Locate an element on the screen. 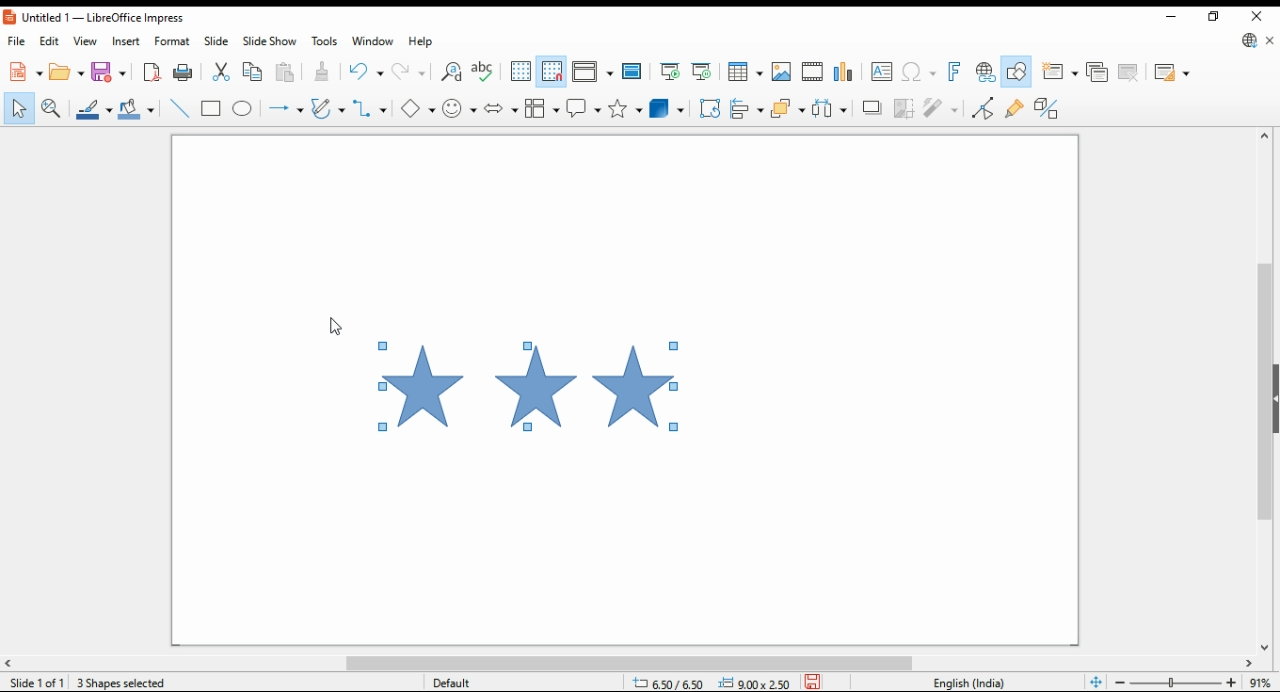 This screenshot has width=1280, height=692. delete slide is located at coordinates (1130, 73).